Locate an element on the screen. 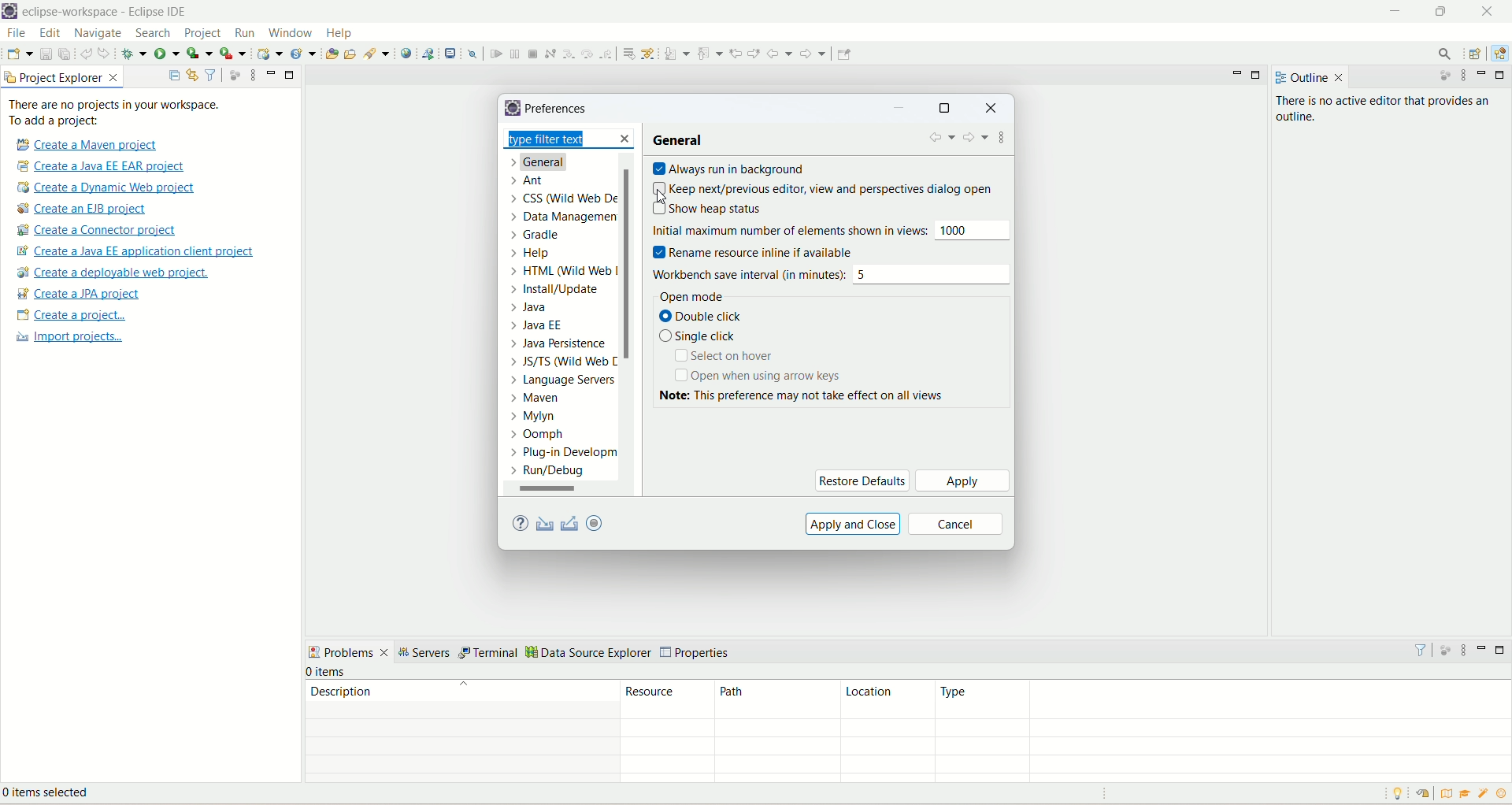  create a connector project is located at coordinates (99, 231).